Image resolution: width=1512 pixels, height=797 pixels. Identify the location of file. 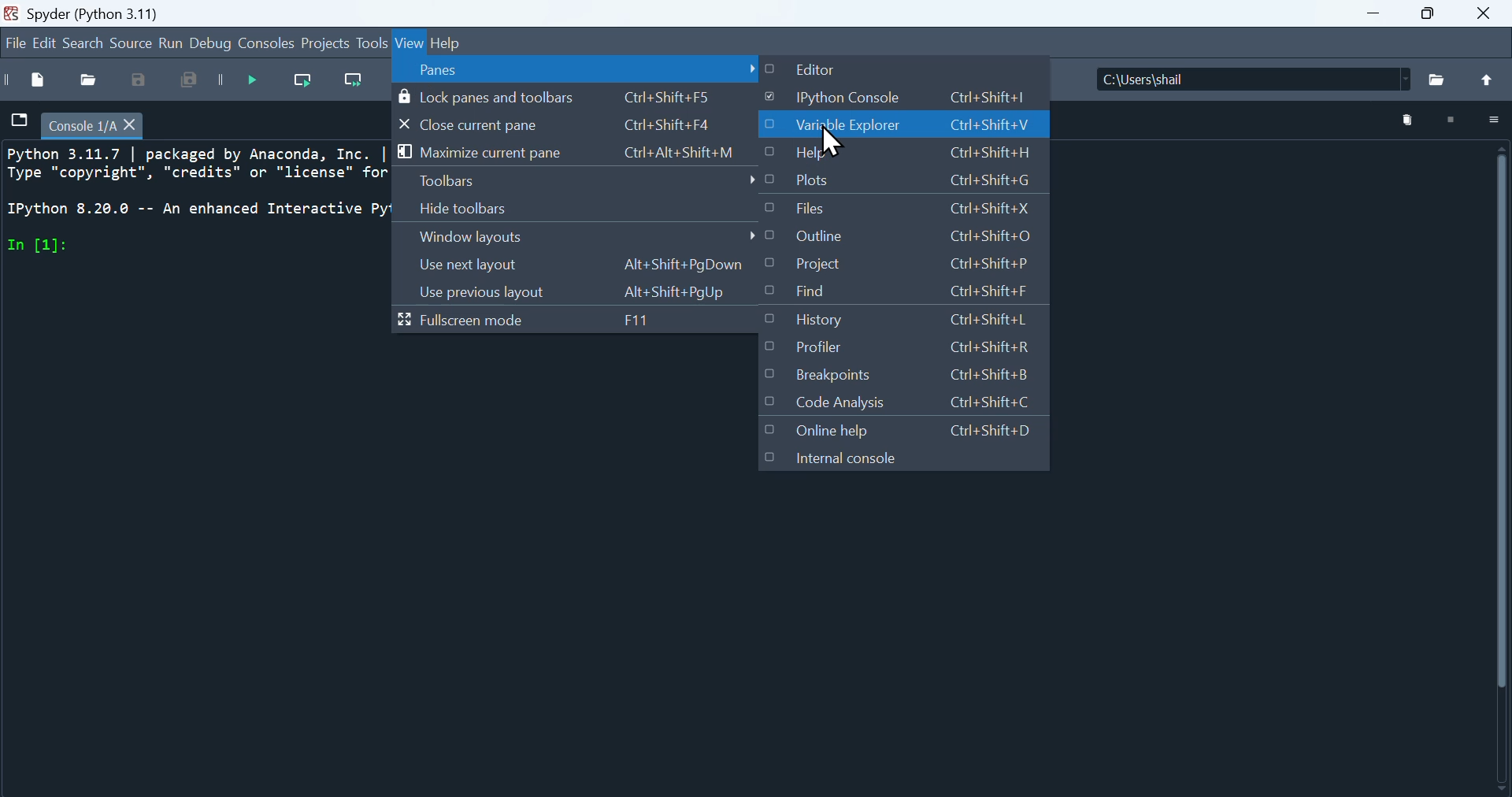
(18, 120).